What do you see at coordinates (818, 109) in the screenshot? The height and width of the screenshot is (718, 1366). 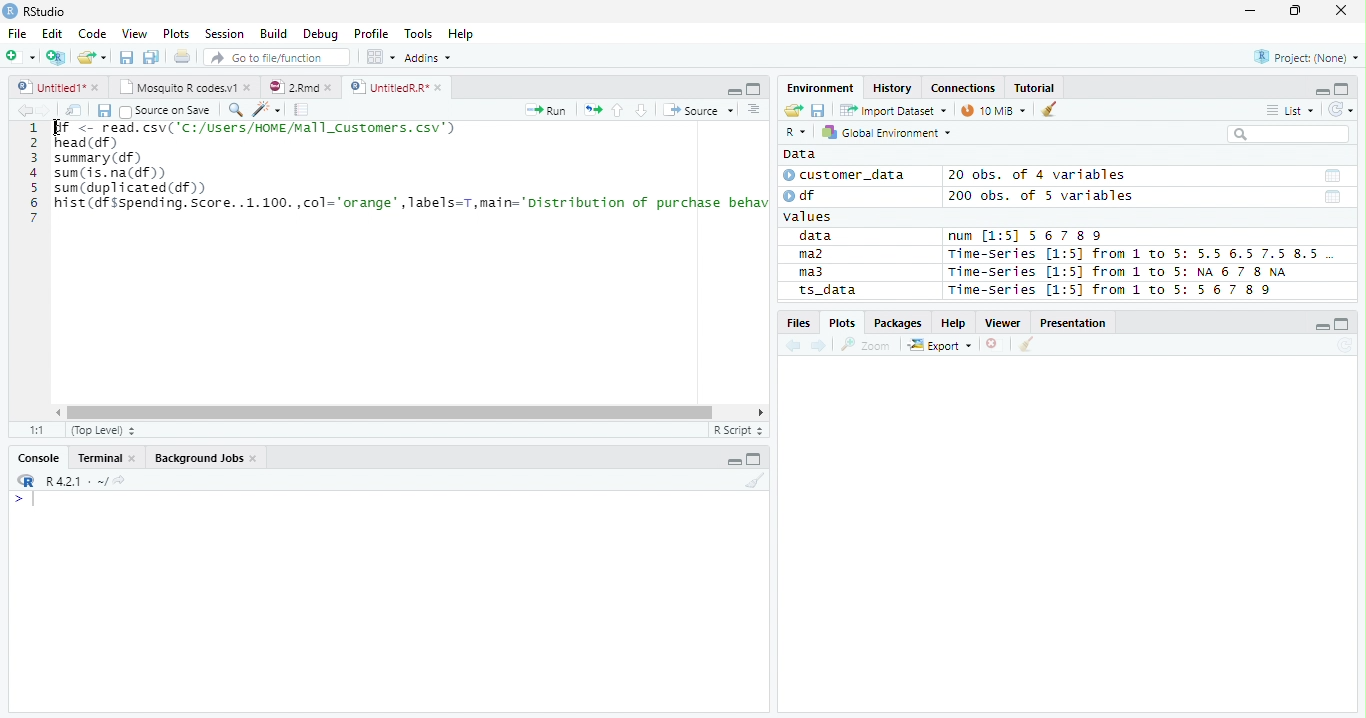 I see `Save` at bounding box center [818, 109].